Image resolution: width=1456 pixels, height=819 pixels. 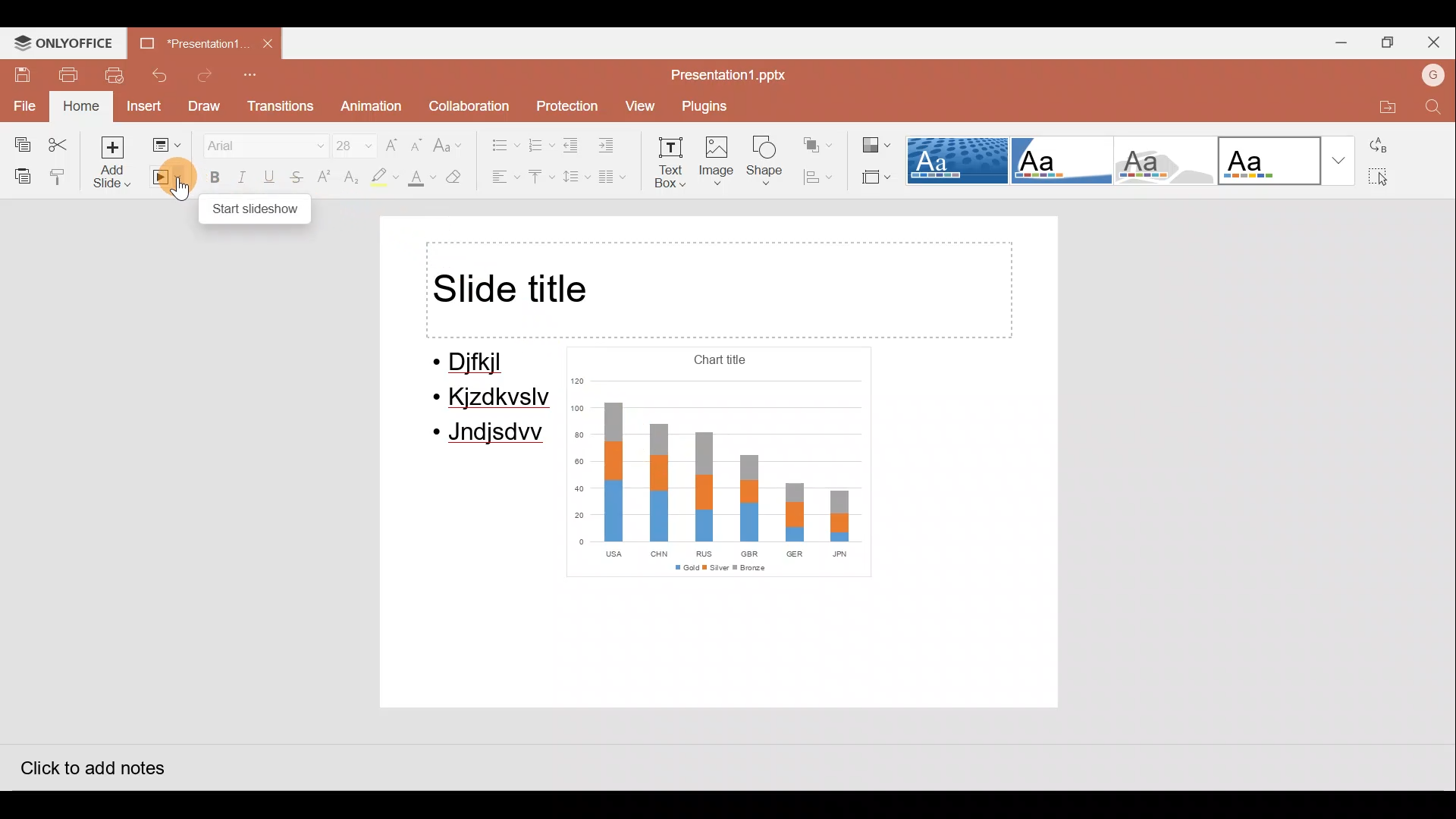 What do you see at coordinates (567, 103) in the screenshot?
I see `Protection` at bounding box center [567, 103].